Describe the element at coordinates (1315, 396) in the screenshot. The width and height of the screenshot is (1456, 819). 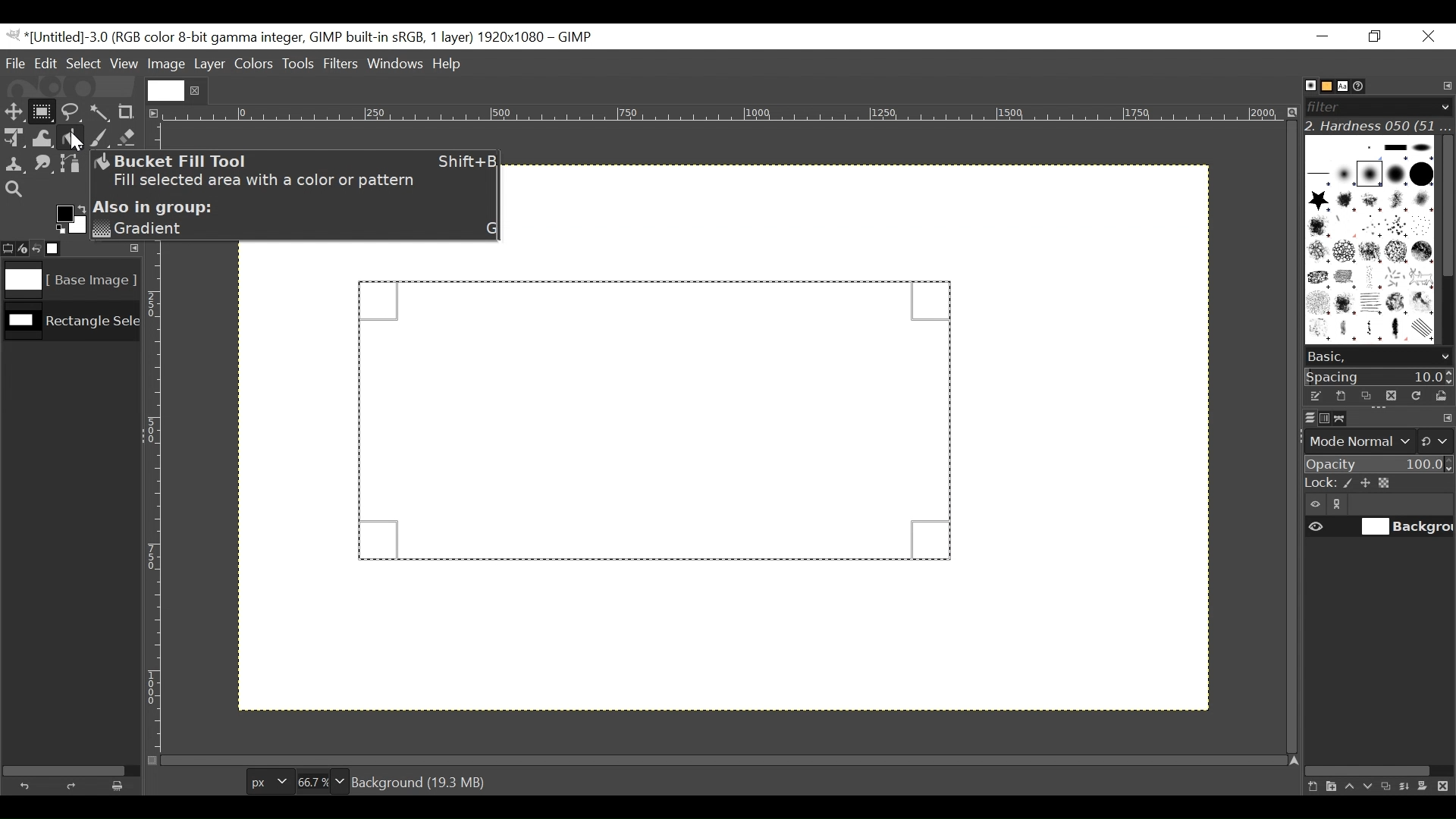
I see `Edit the brush` at that location.